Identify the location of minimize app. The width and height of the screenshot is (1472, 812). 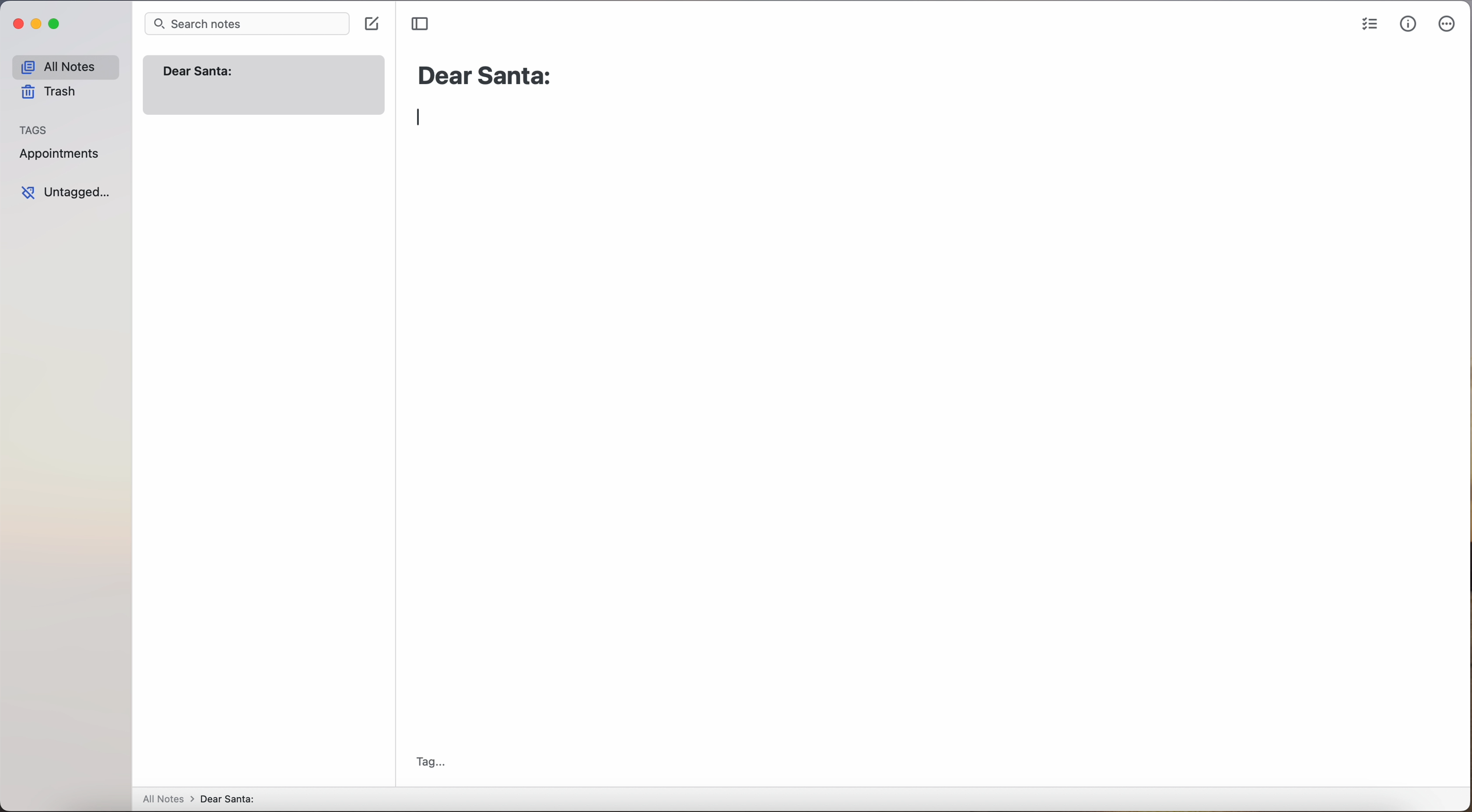
(38, 26).